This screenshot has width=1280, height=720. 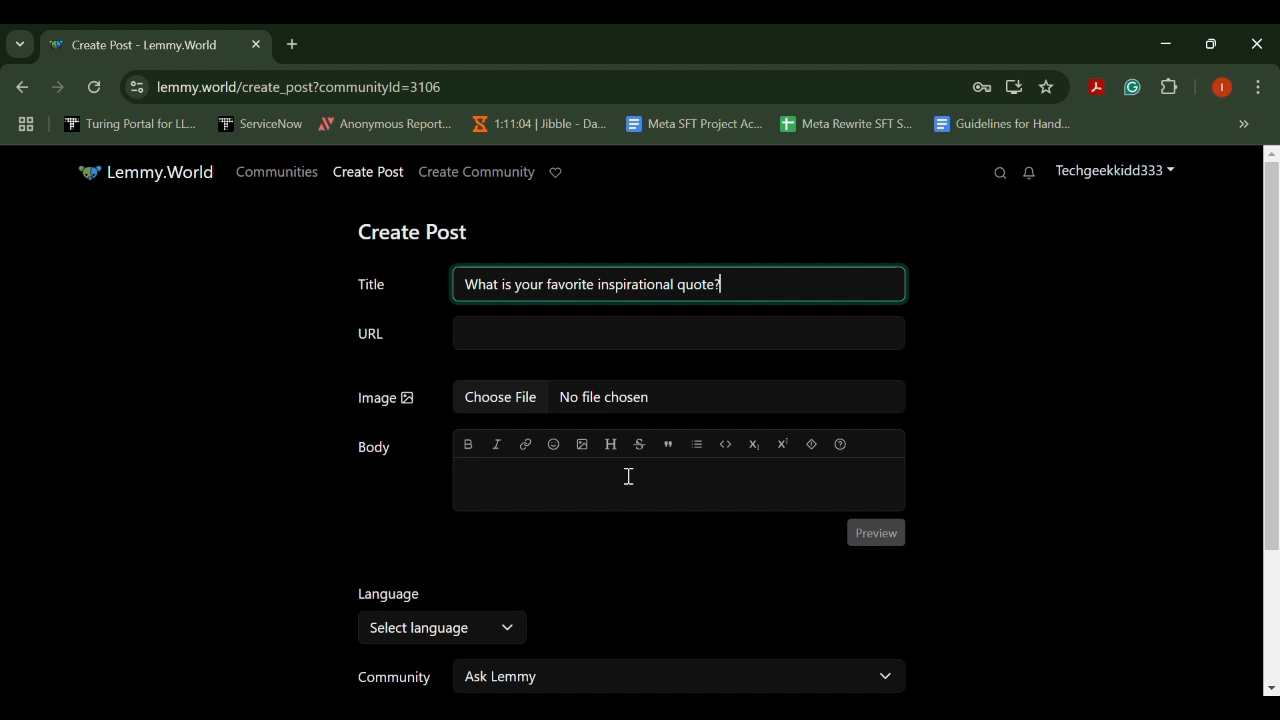 I want to click on formatting help, so click(x=839, y=442).